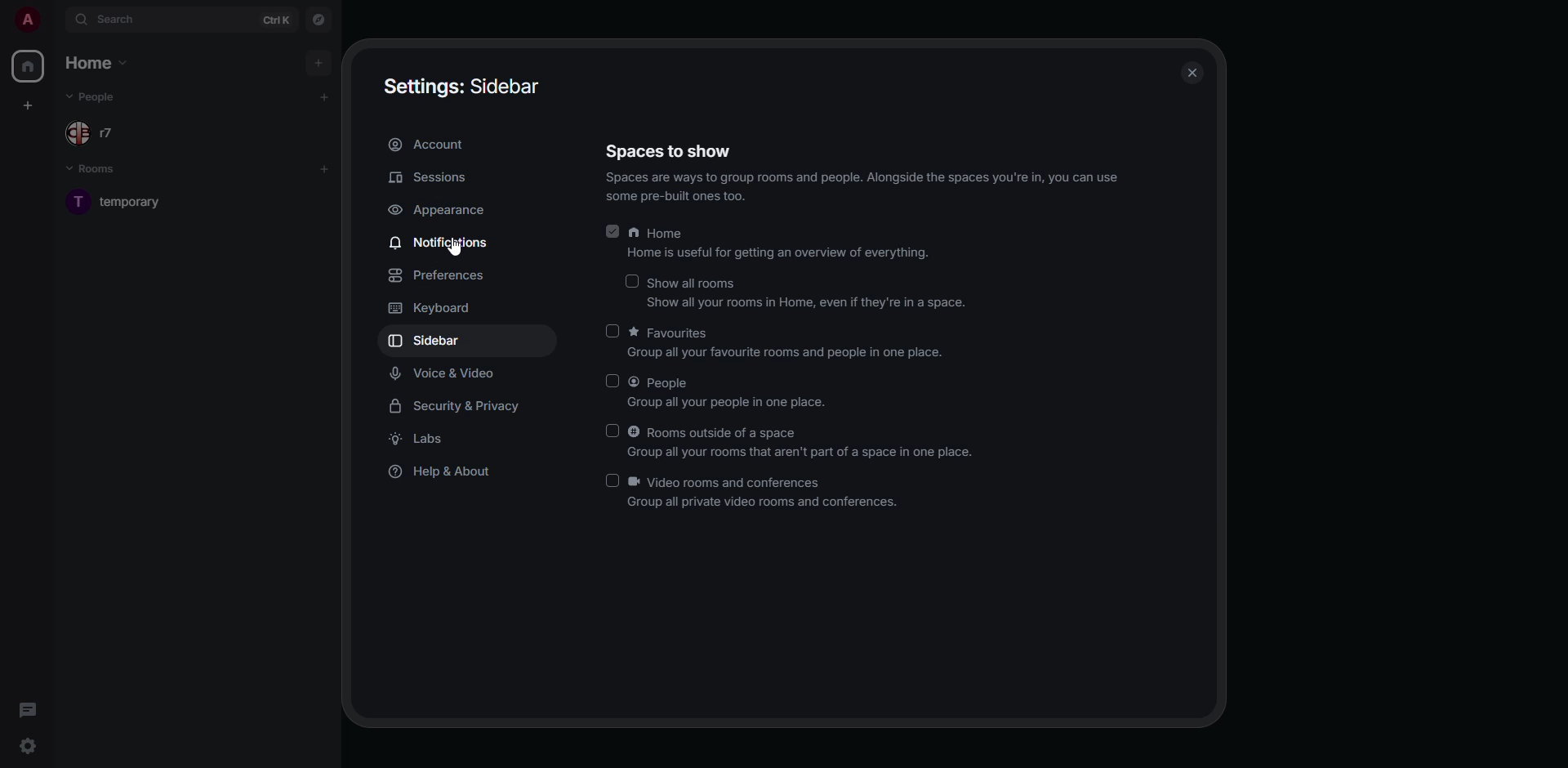  What do you see at coordinates (100, 132) in the screenshot?
I see `people` at bounding box center [100, 132].